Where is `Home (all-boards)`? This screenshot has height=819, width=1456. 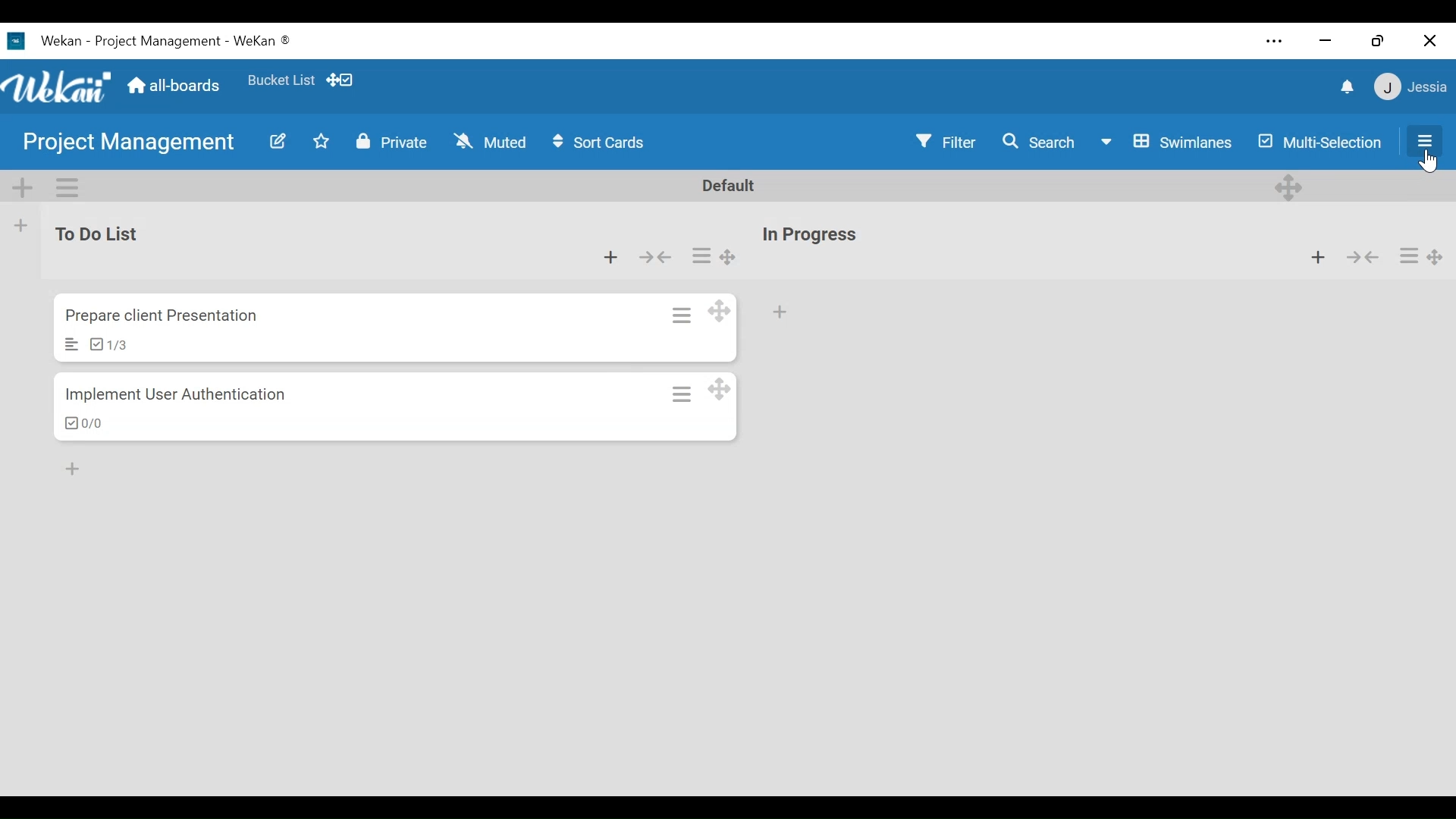
Home (all-boards) is located at coordinates (176, 86).